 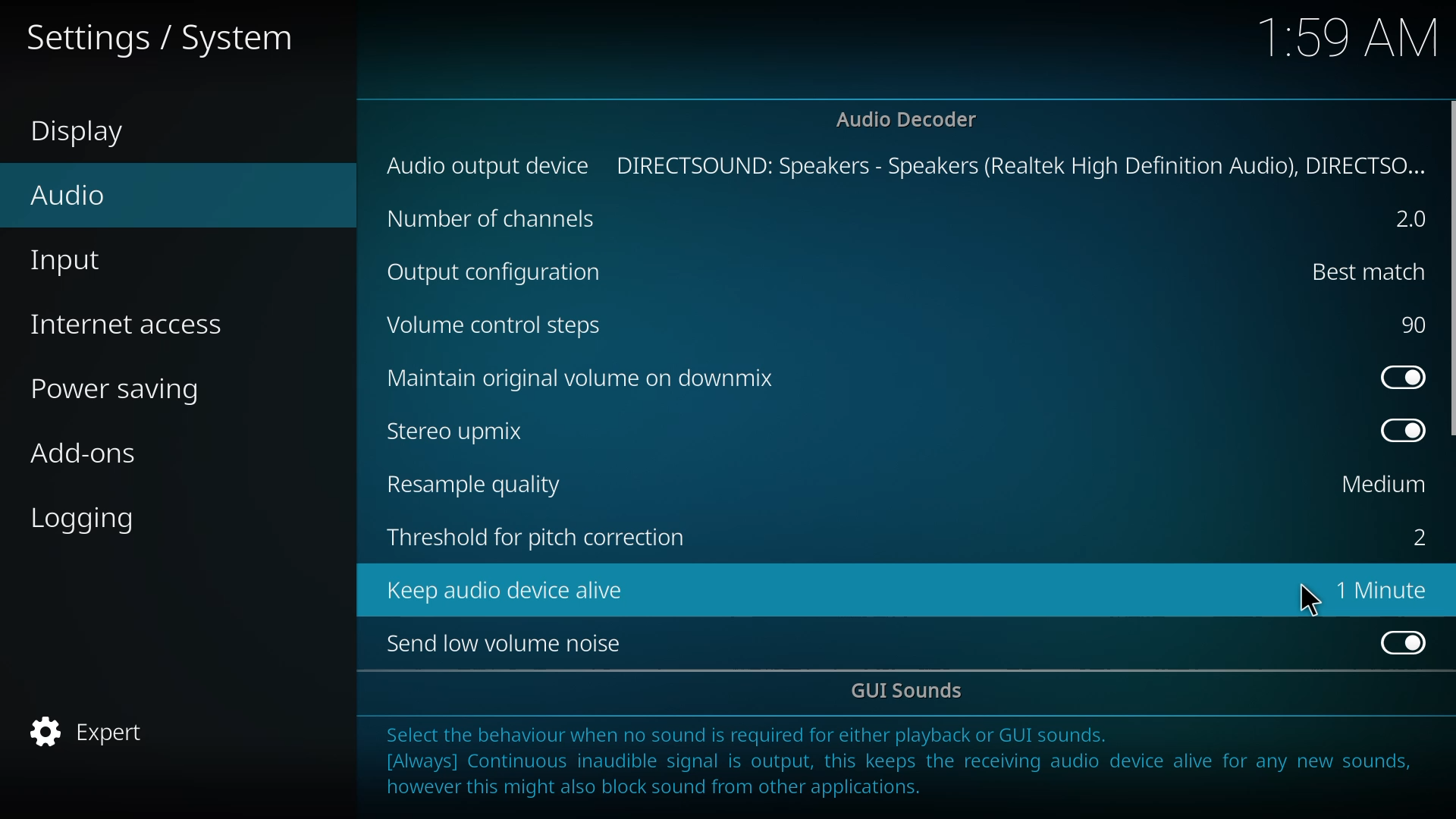 What do you see at coordinates (480, 484) in the screenshot?
I see `resample quality` at bounding box center [480, 484].